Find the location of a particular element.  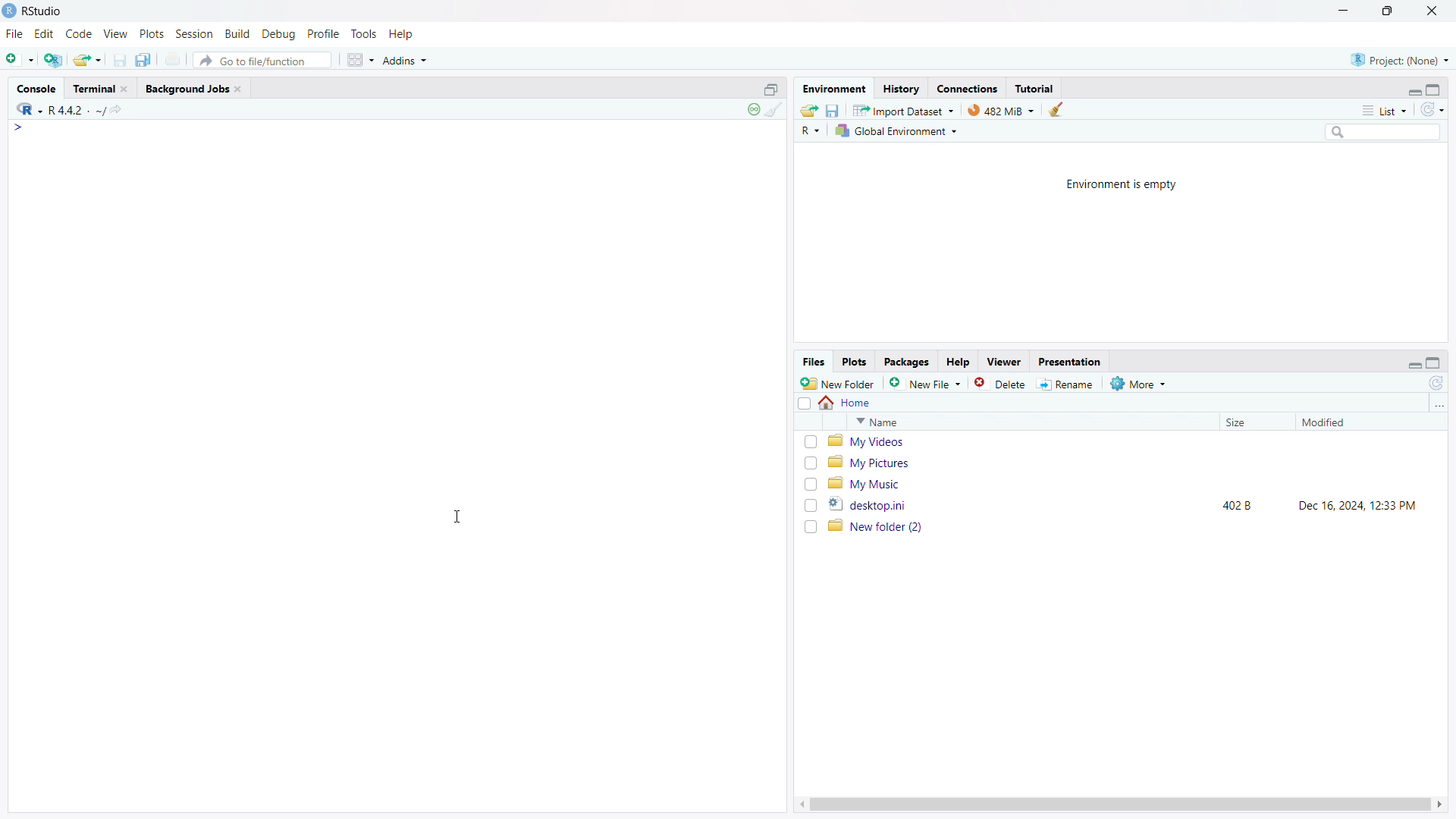

presentation is located at coordinates (1071, 361).